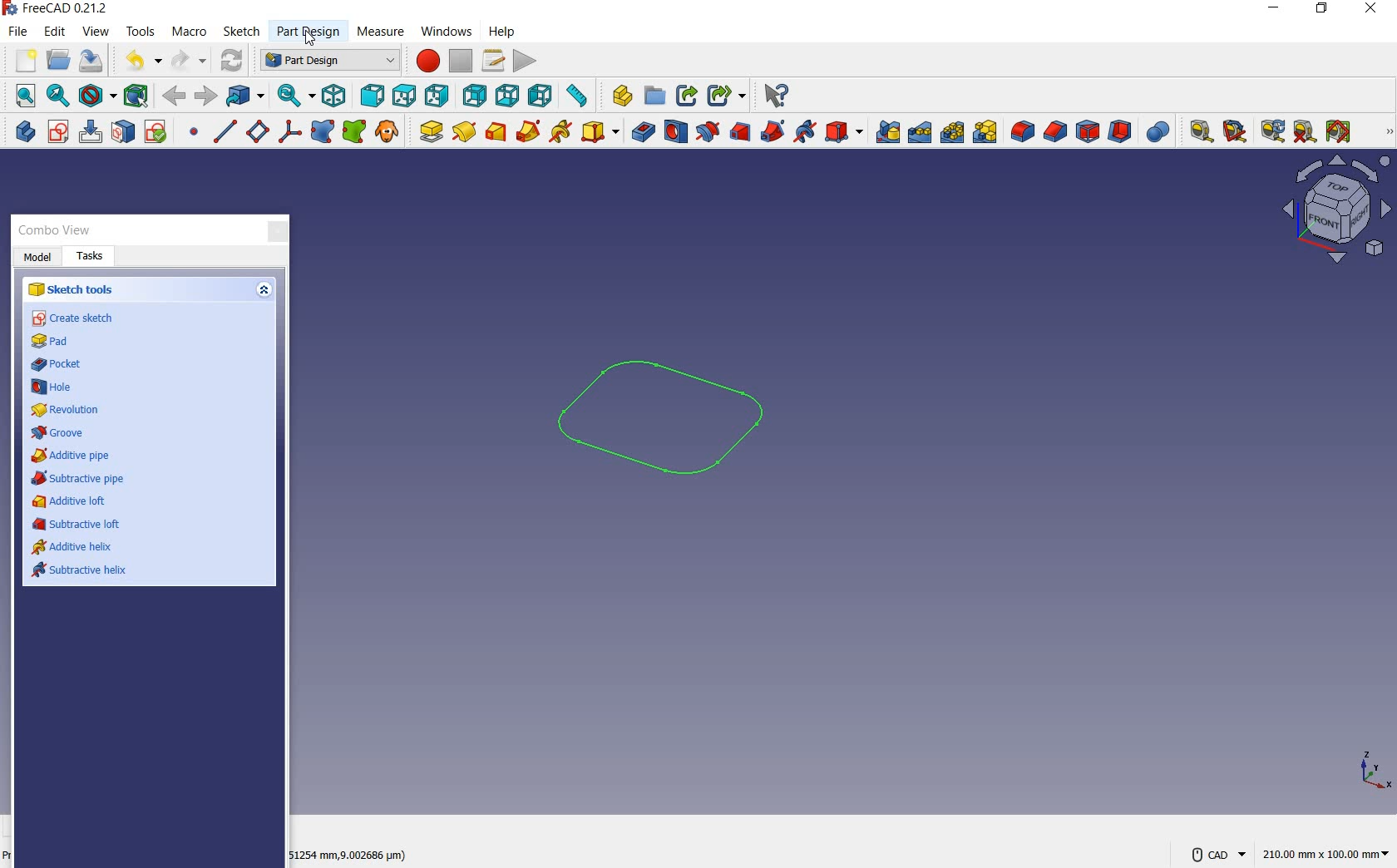  Describe the element at coordinates (1323, 11) in the screenshot. I see `restore down` at that location.